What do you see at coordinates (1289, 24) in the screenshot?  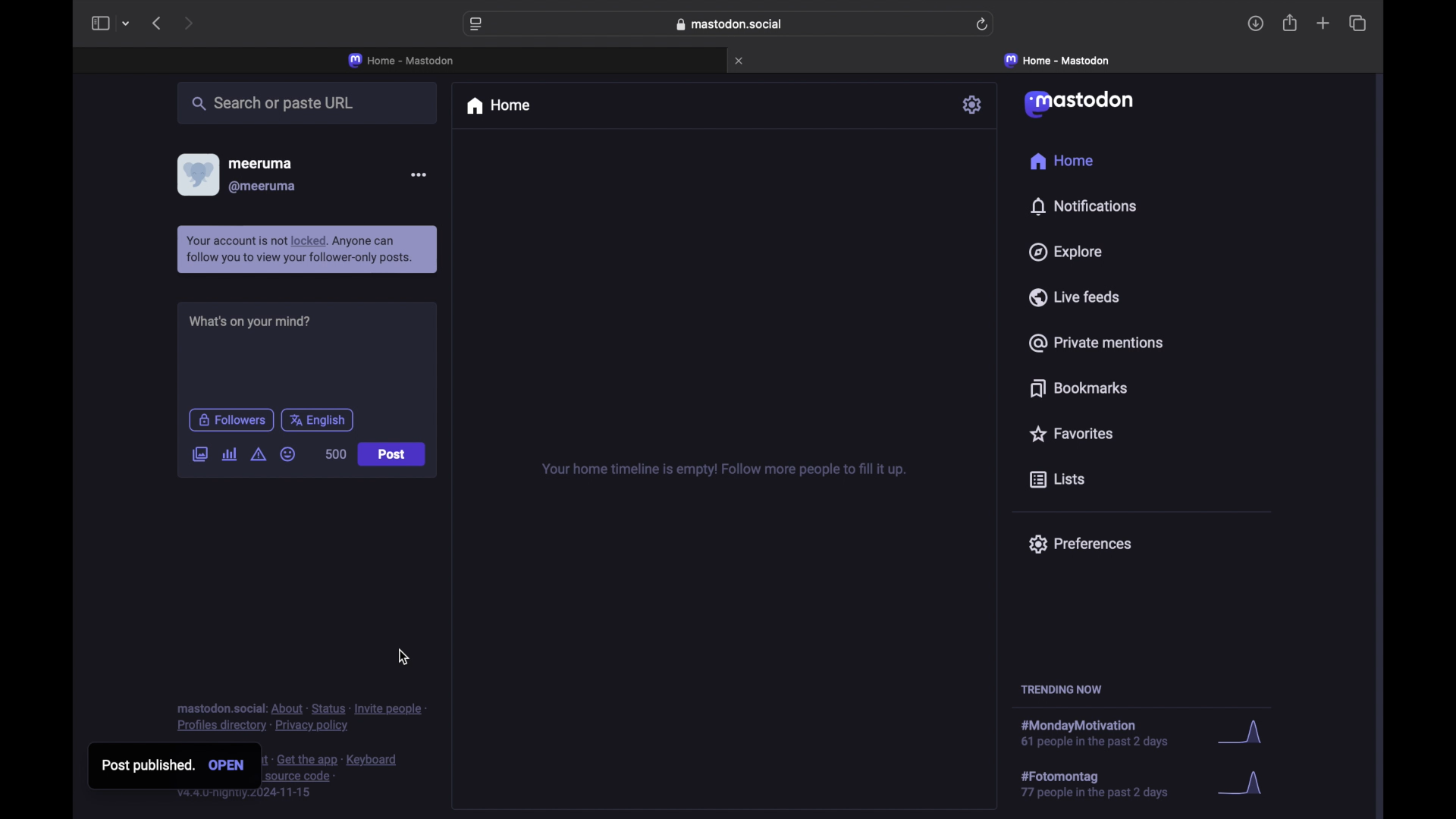 I see `share` at bounding box center [1289, 24].